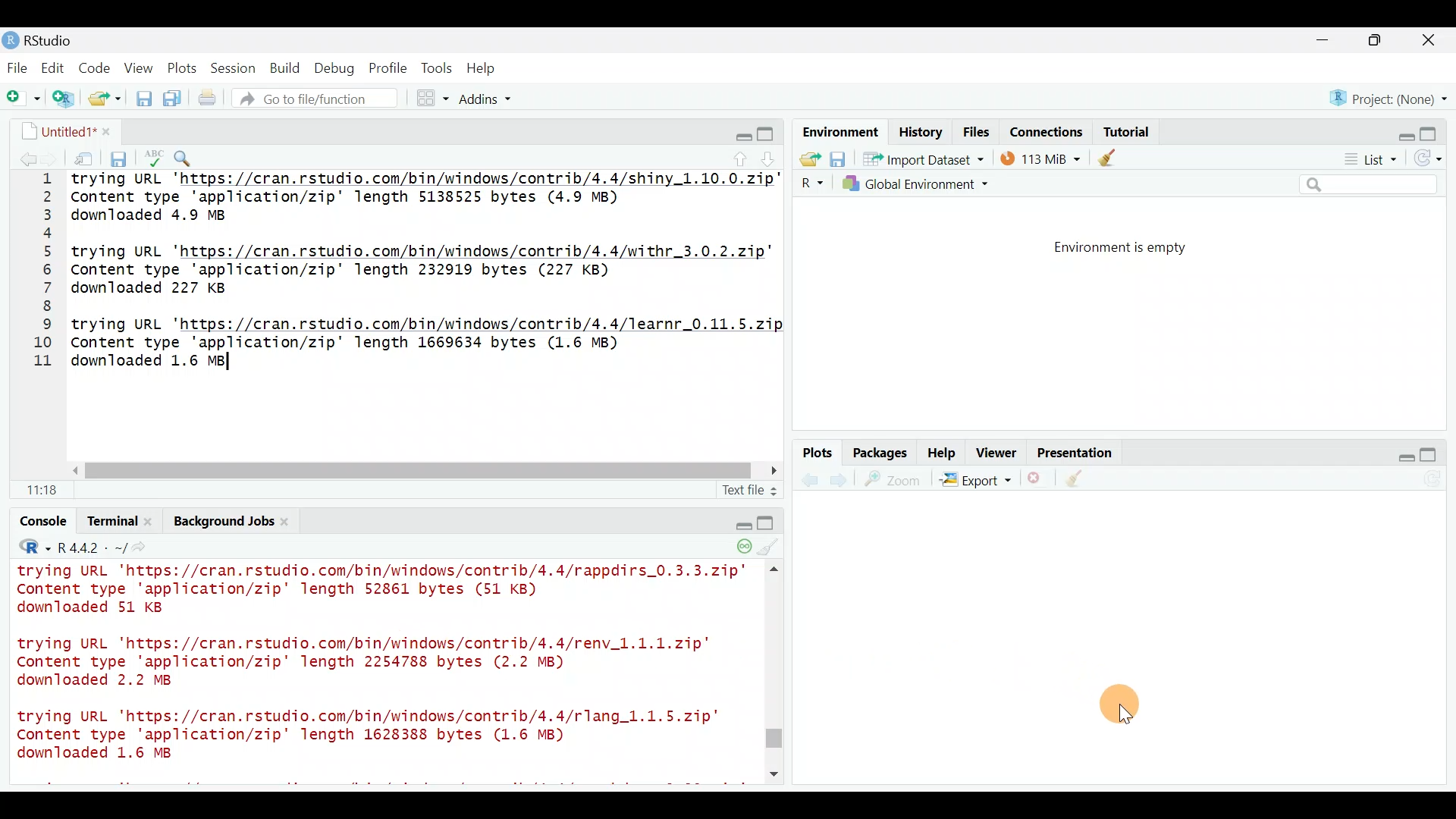 The height and width of the screenshot is (819, 1456). Describe the element at coordinates (736, 523) in the screenshot. I see `restore down` at that location.